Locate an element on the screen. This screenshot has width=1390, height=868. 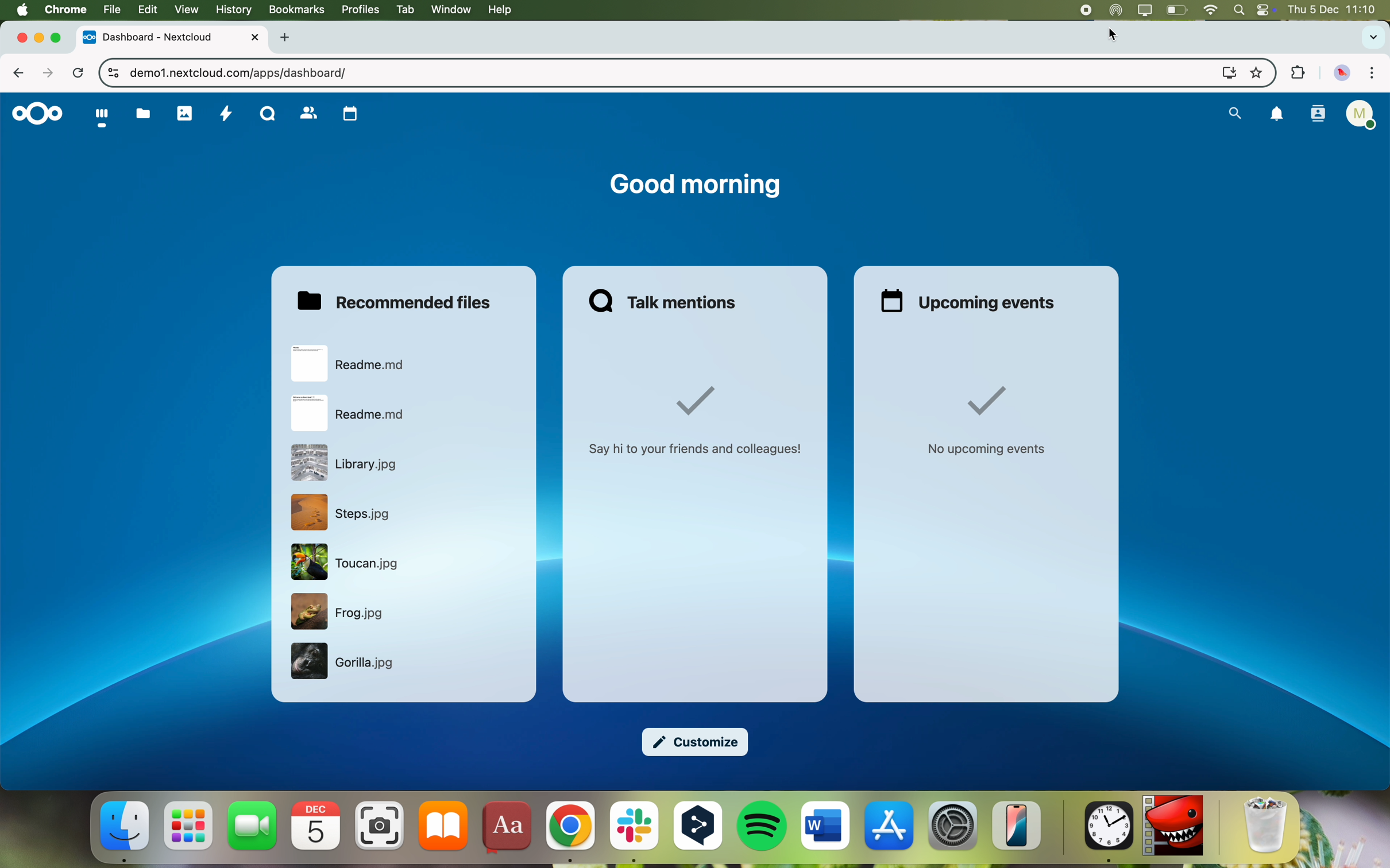
refresh the page is located at coordinates (79, 74).